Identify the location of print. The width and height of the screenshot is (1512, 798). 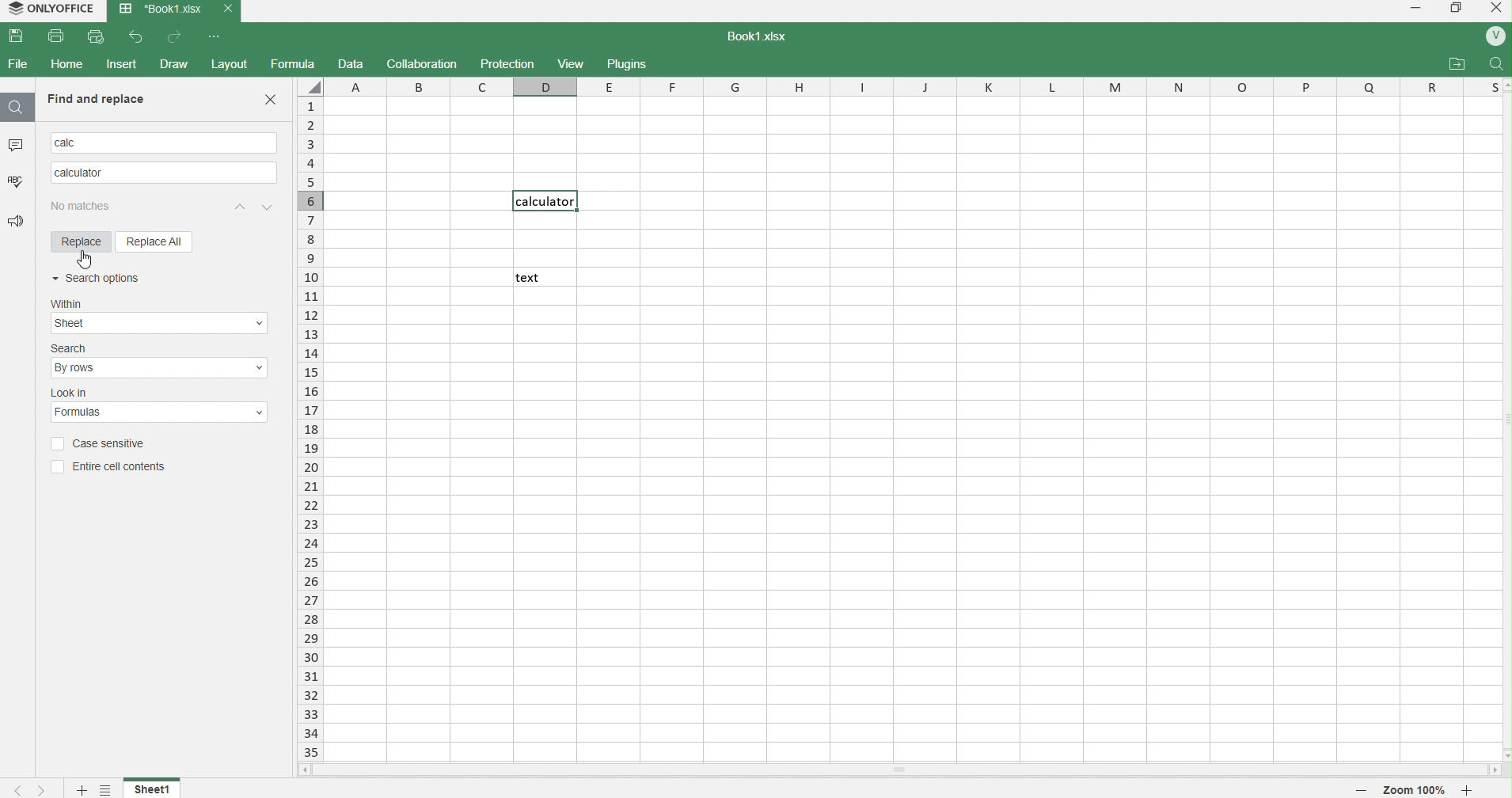
(60, 36).